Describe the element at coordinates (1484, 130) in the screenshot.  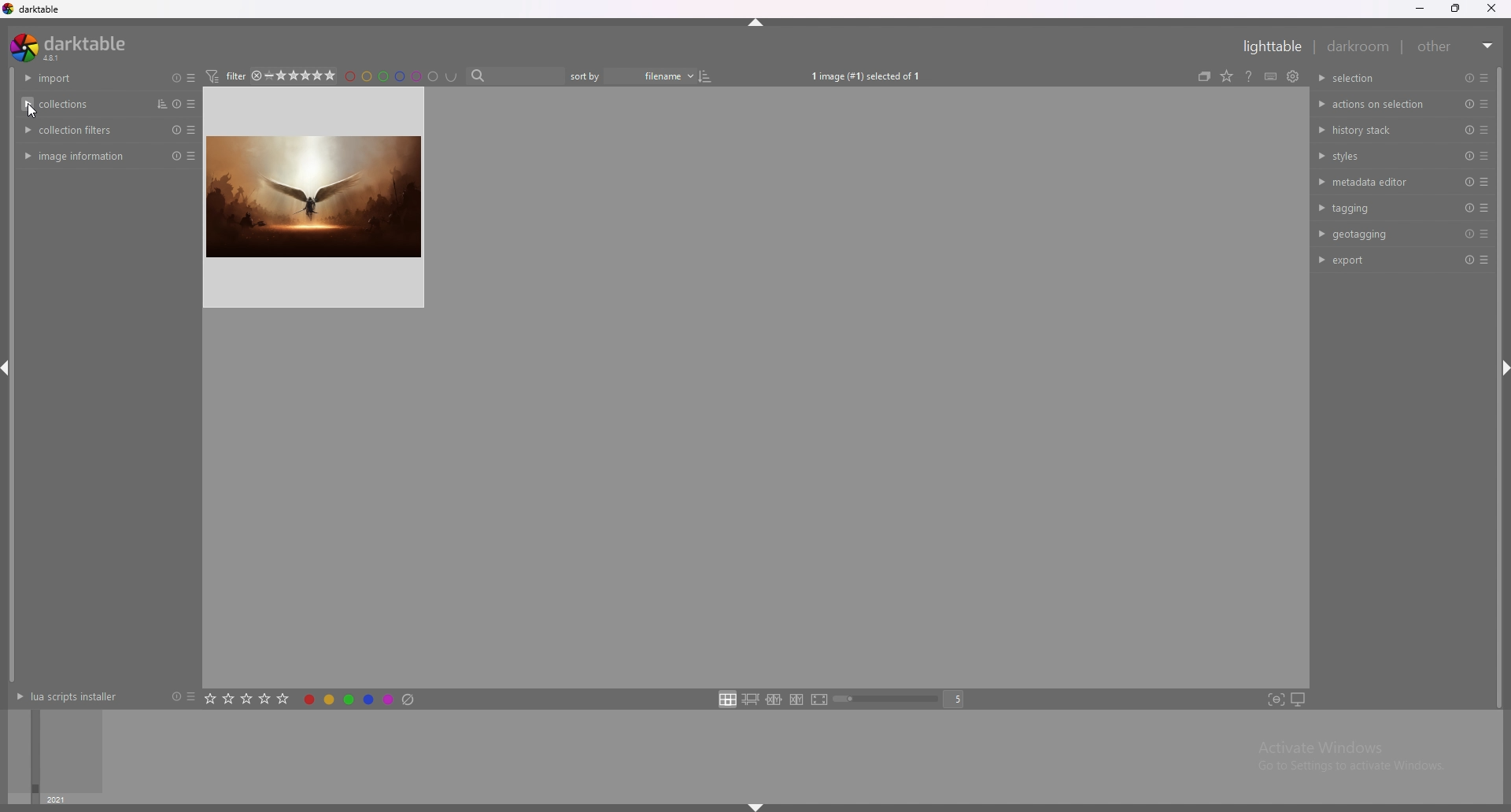
I see `presets` at that location.